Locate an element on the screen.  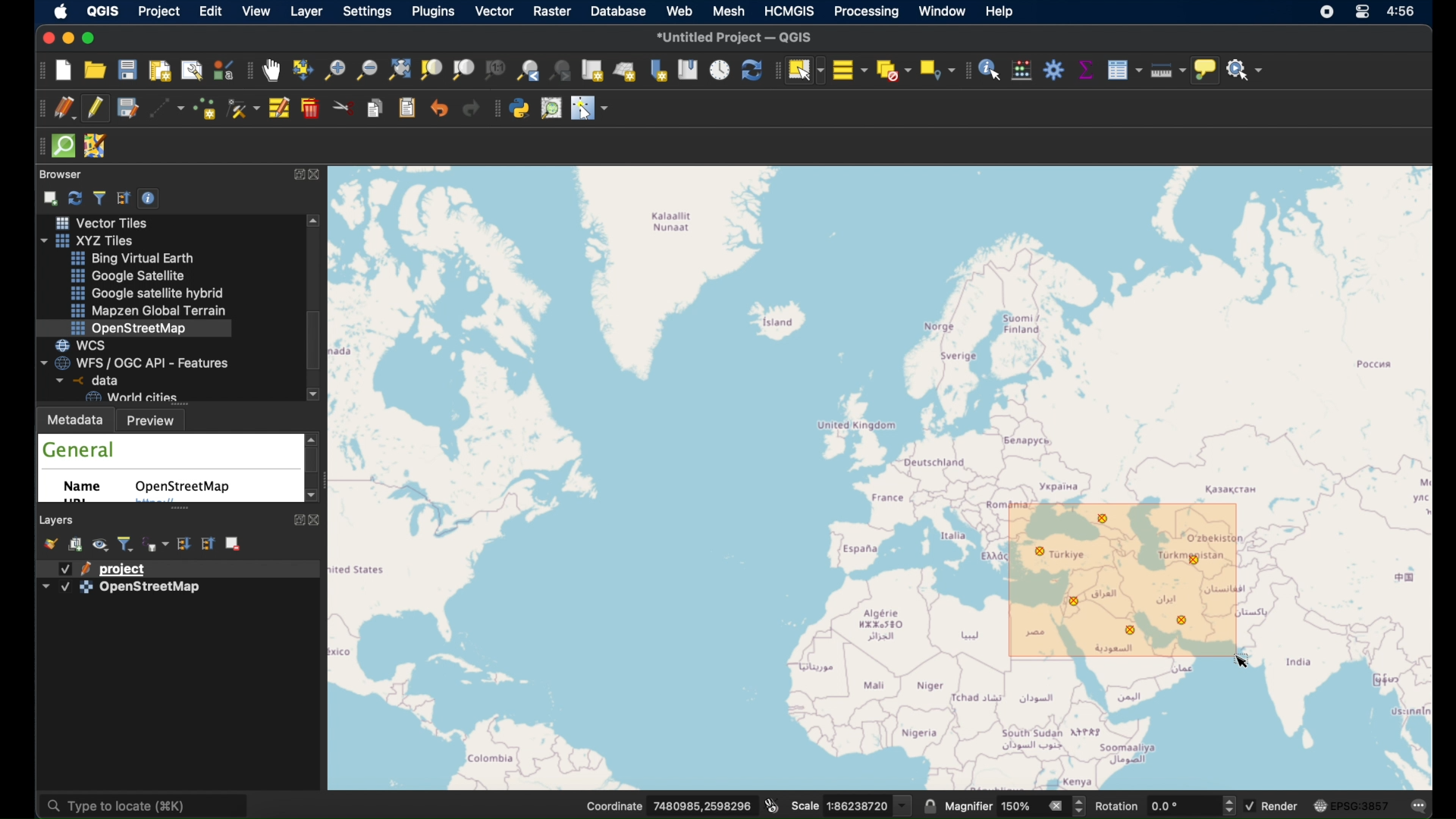
pan map to selection is located at coordinates (303, 69).